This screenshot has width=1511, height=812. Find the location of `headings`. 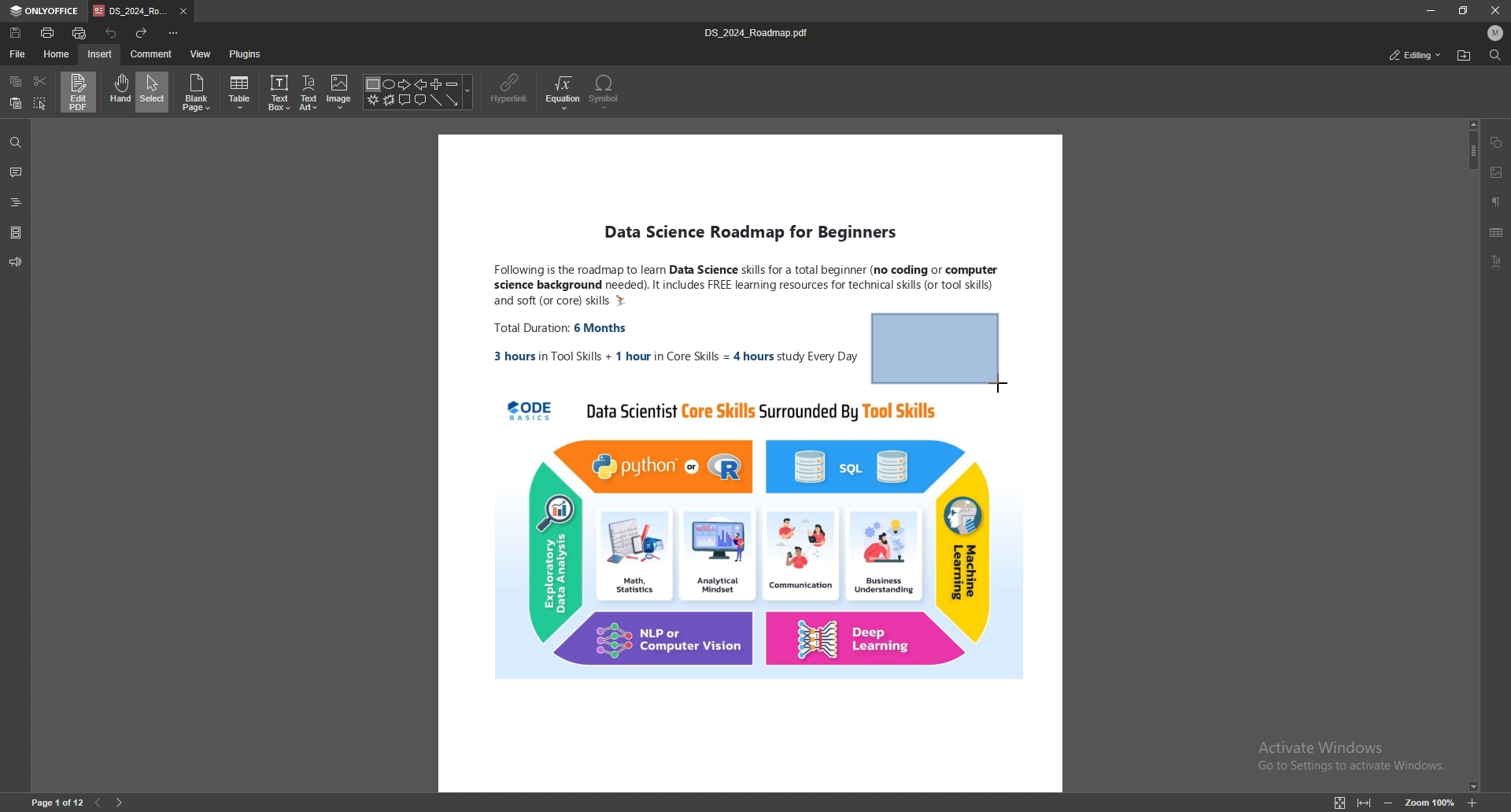

headings is located at coordinates (17, 200).